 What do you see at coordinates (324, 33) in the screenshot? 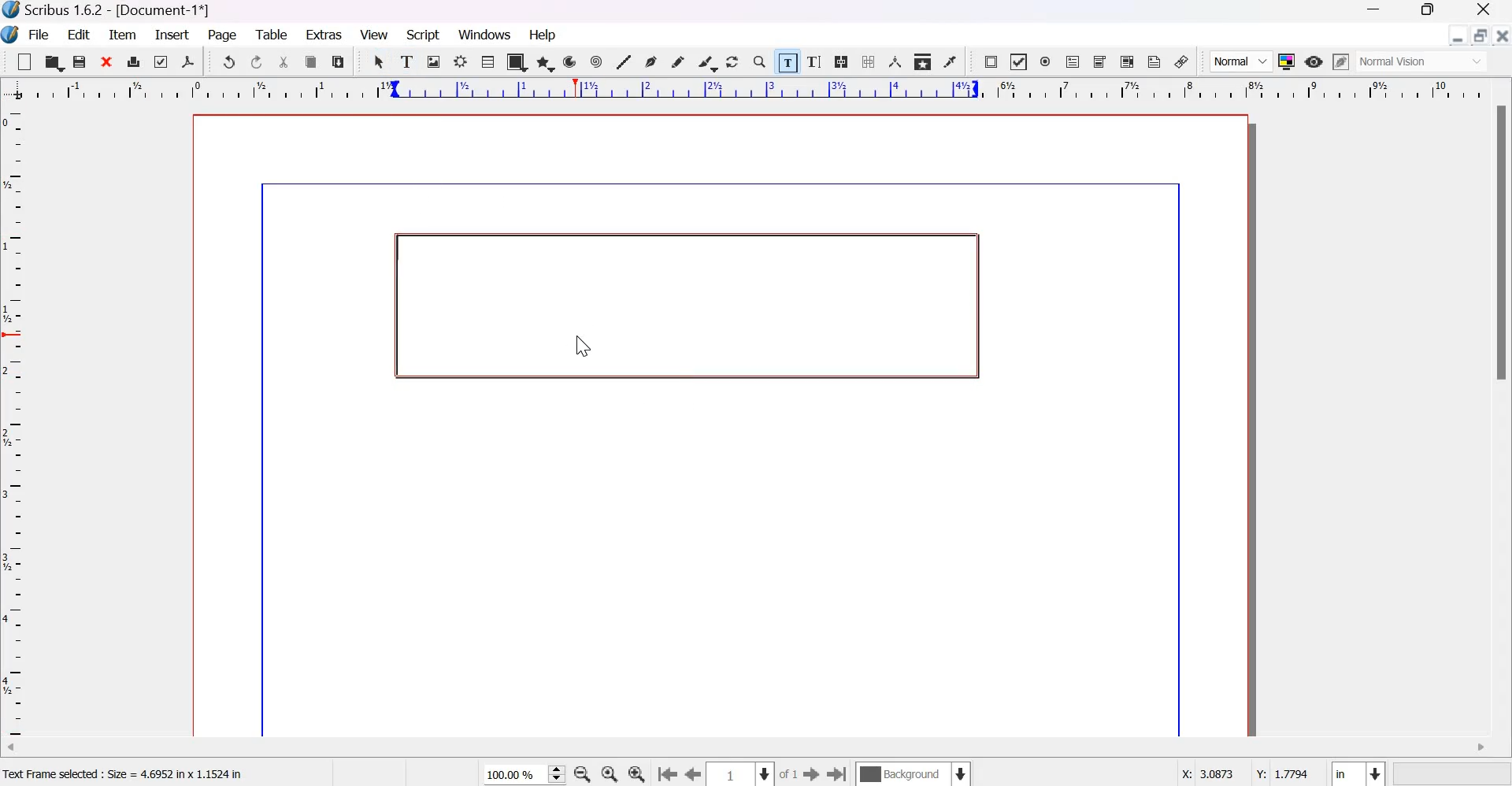
I see `Extras` at bounding box center [324, 33].